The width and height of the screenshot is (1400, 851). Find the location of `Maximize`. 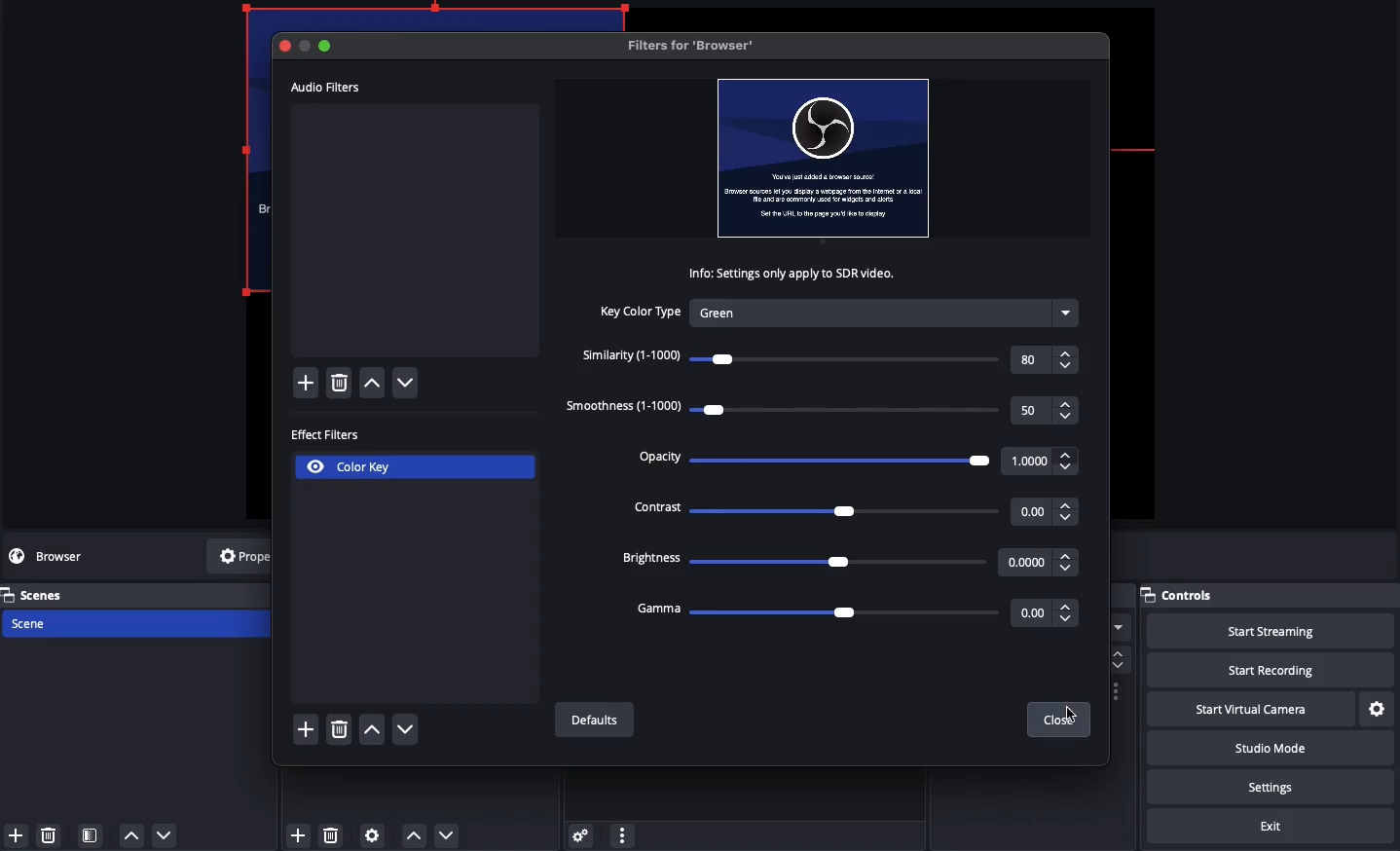

Maximize is located at coordinates (327, 47).